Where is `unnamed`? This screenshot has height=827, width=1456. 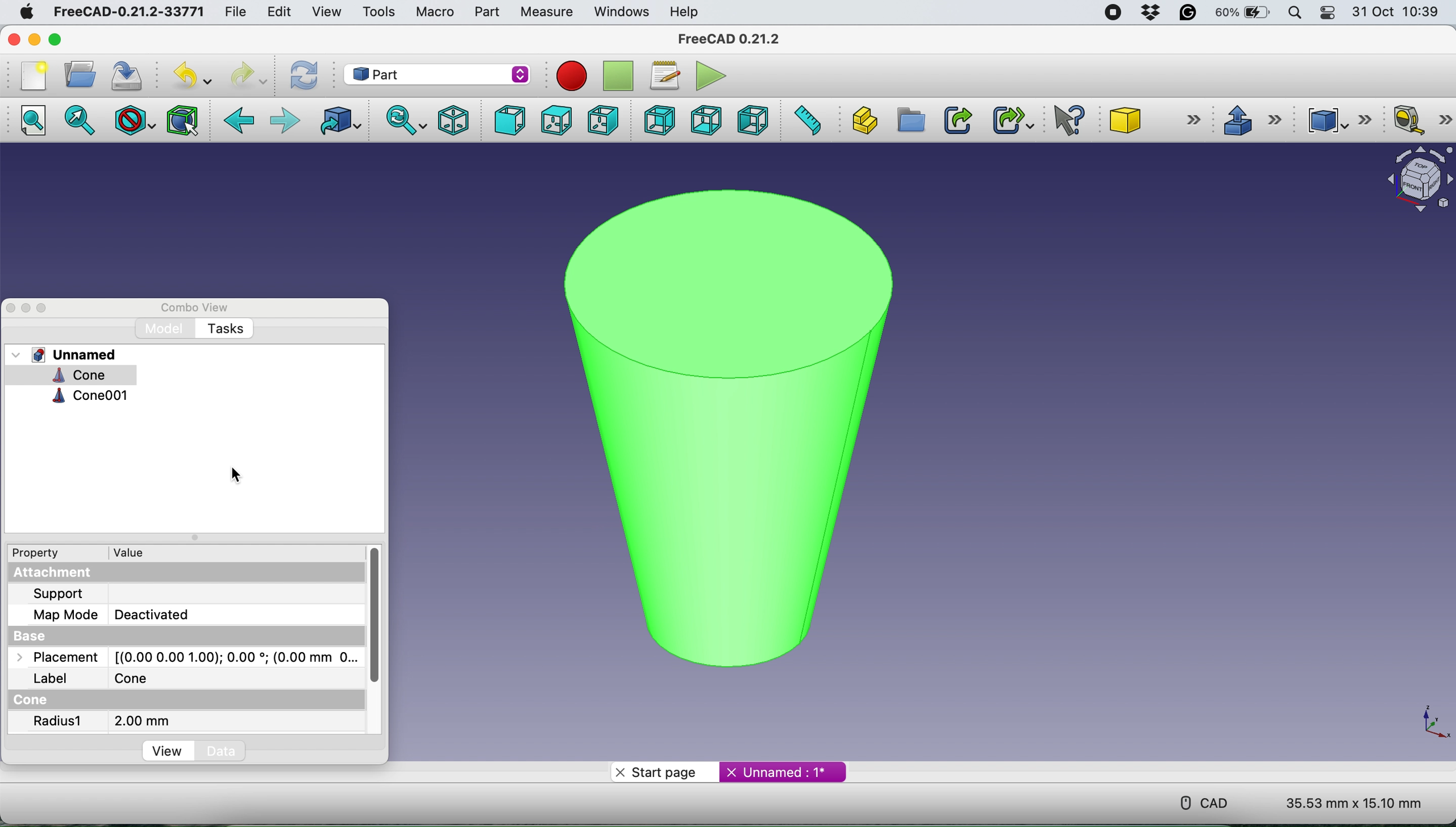 unnamed is located at coordinates (68, 354).